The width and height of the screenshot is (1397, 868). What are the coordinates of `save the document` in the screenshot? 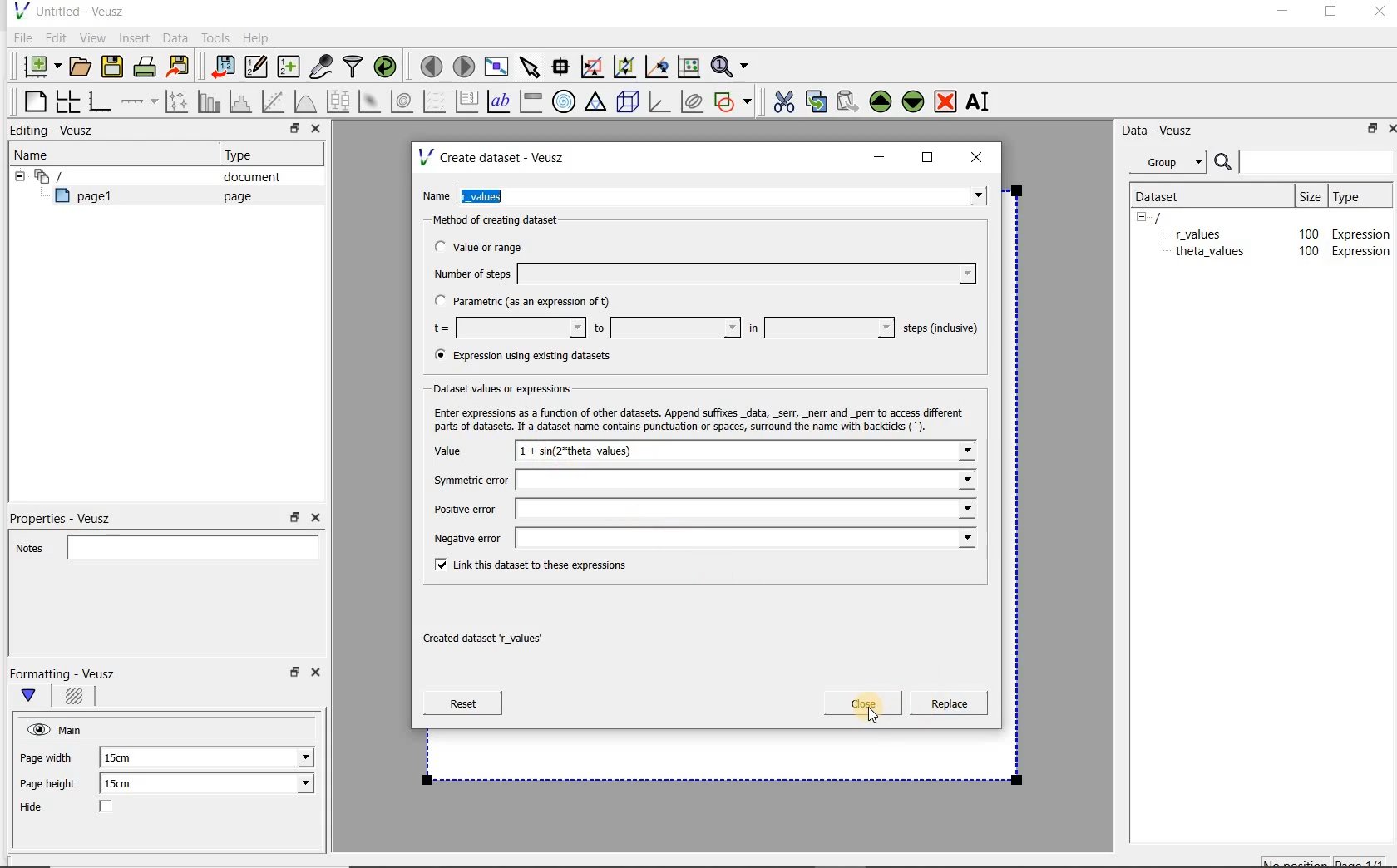 It's located at (116, 67).